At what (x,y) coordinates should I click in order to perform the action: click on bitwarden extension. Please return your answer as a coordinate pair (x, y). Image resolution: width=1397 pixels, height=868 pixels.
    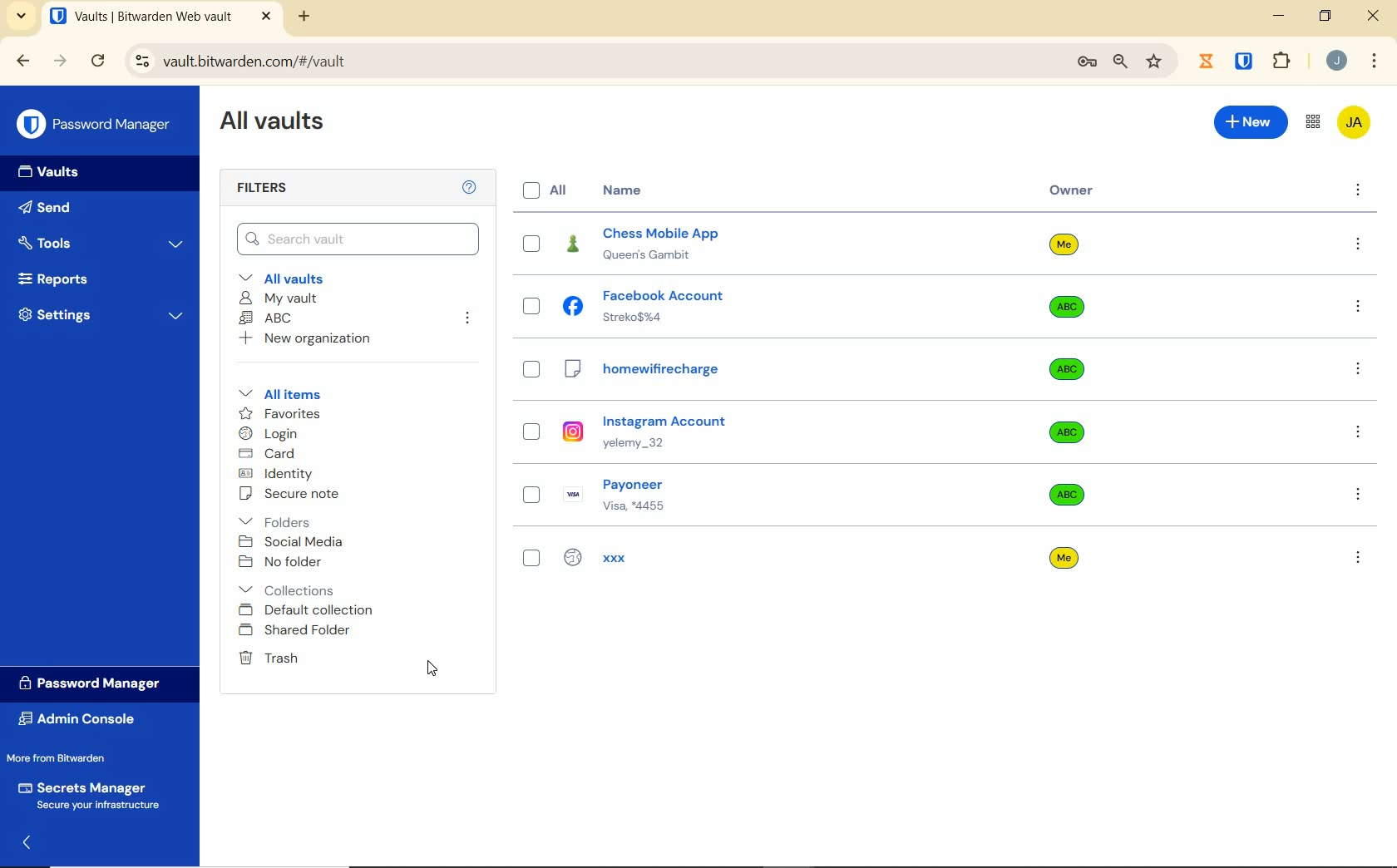
    Looking at the image, I should click on (1245, 62).